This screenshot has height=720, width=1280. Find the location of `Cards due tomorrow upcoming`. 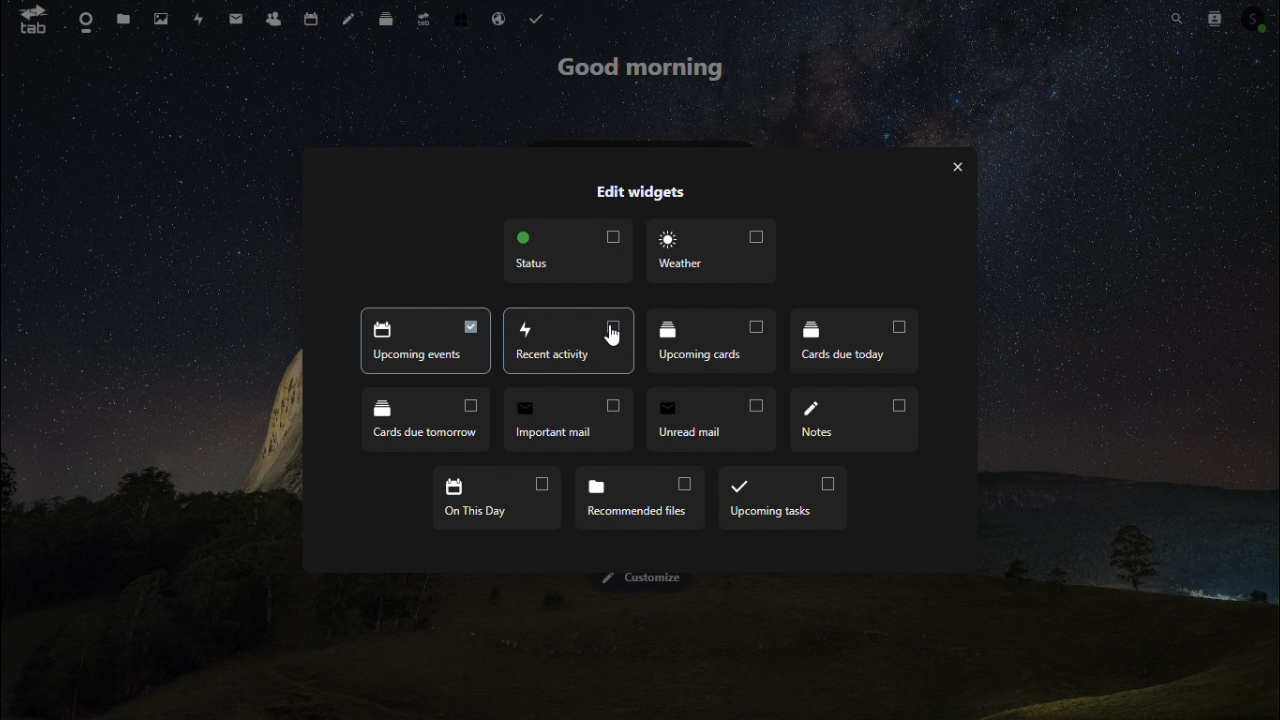

Cards due tomorrow upcoming is located at coordinates (427, 419).